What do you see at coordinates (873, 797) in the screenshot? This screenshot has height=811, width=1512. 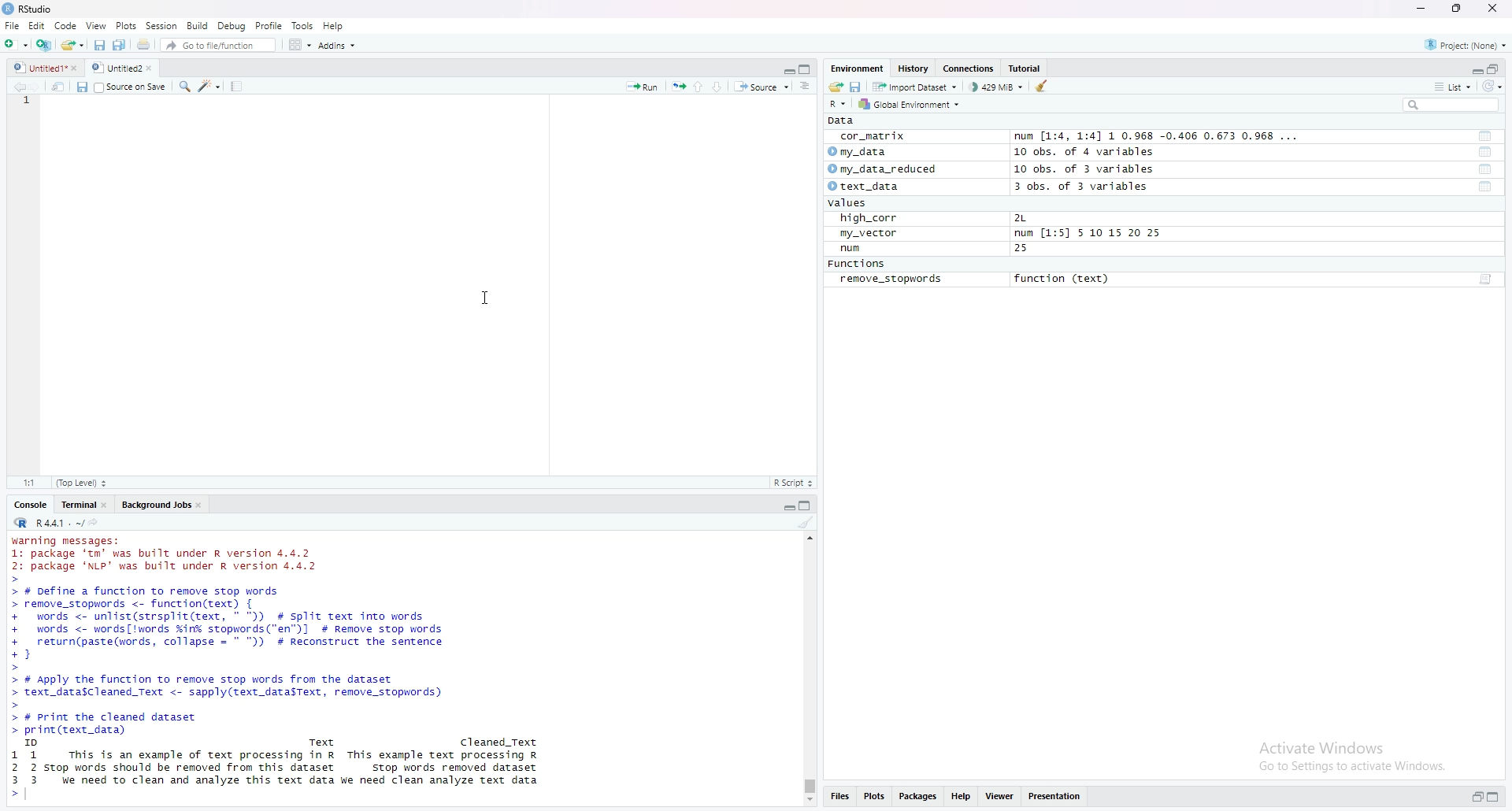 I see `Plots` at bounding box center [873, 797].